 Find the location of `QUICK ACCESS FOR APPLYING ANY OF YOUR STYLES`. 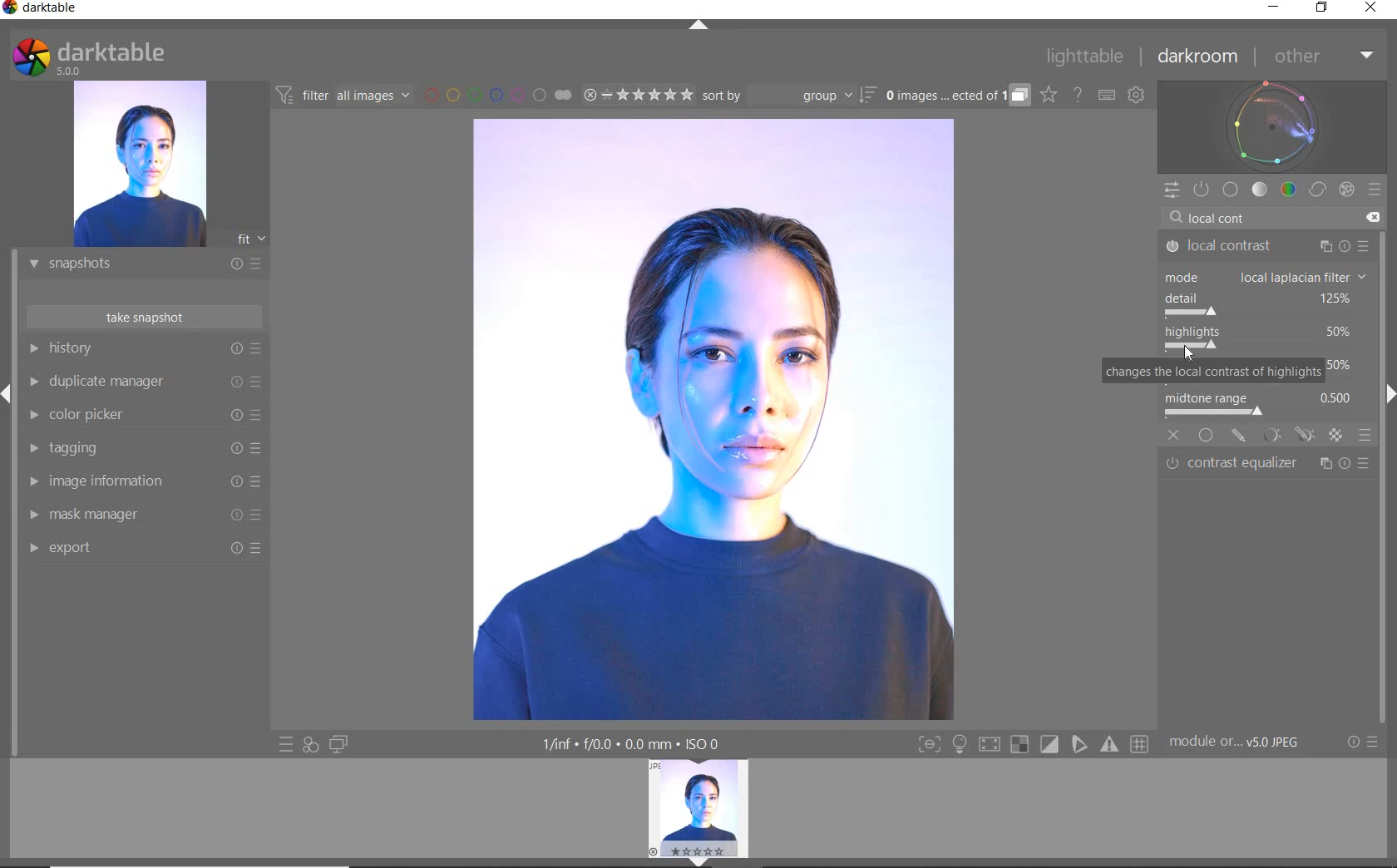

QUICK ACCESS FOR APPLYING ANY OF YOUR STYLES is located at coordinates (309, 744).